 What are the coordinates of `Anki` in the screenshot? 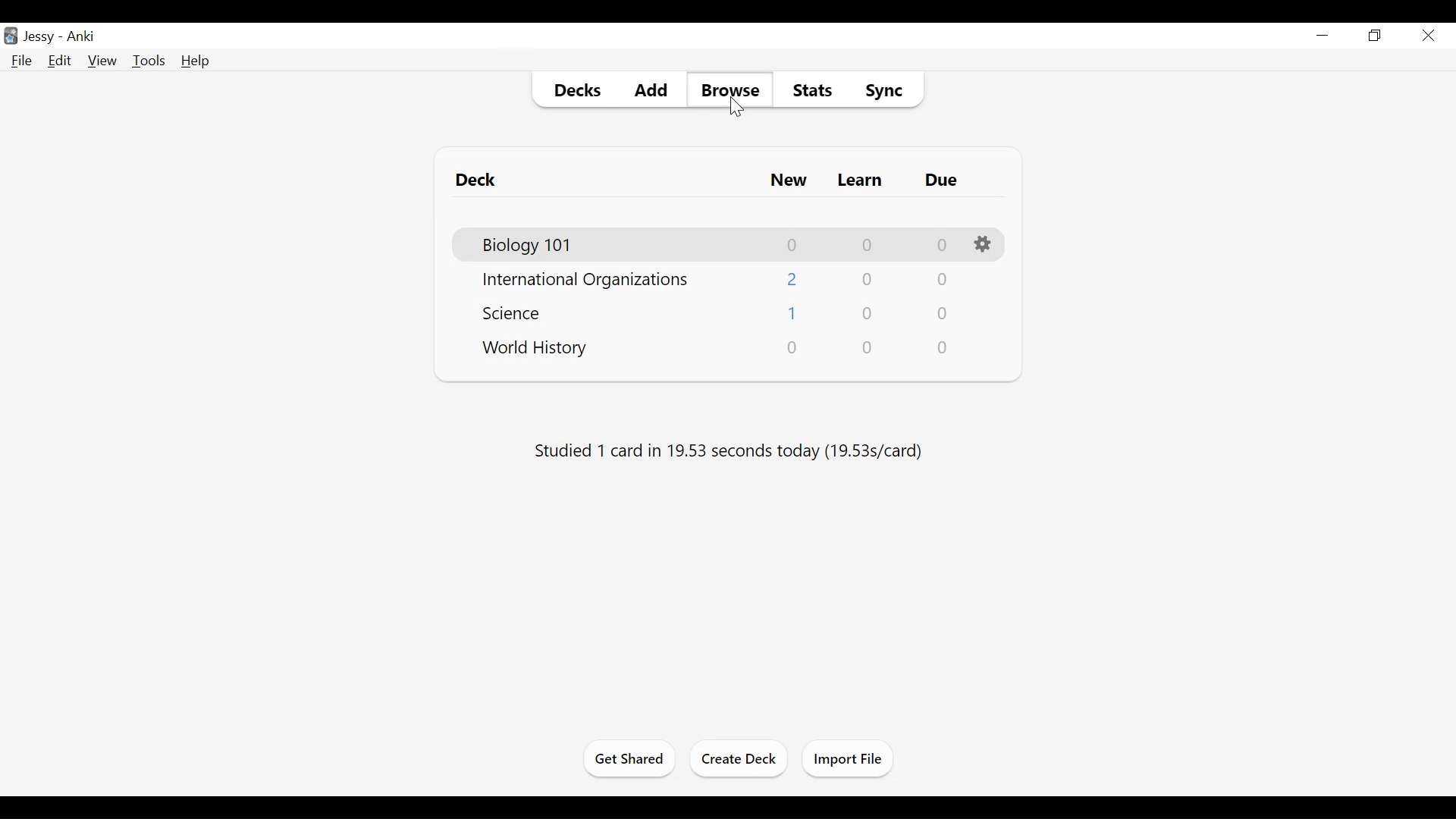 It's located at (81, 38).